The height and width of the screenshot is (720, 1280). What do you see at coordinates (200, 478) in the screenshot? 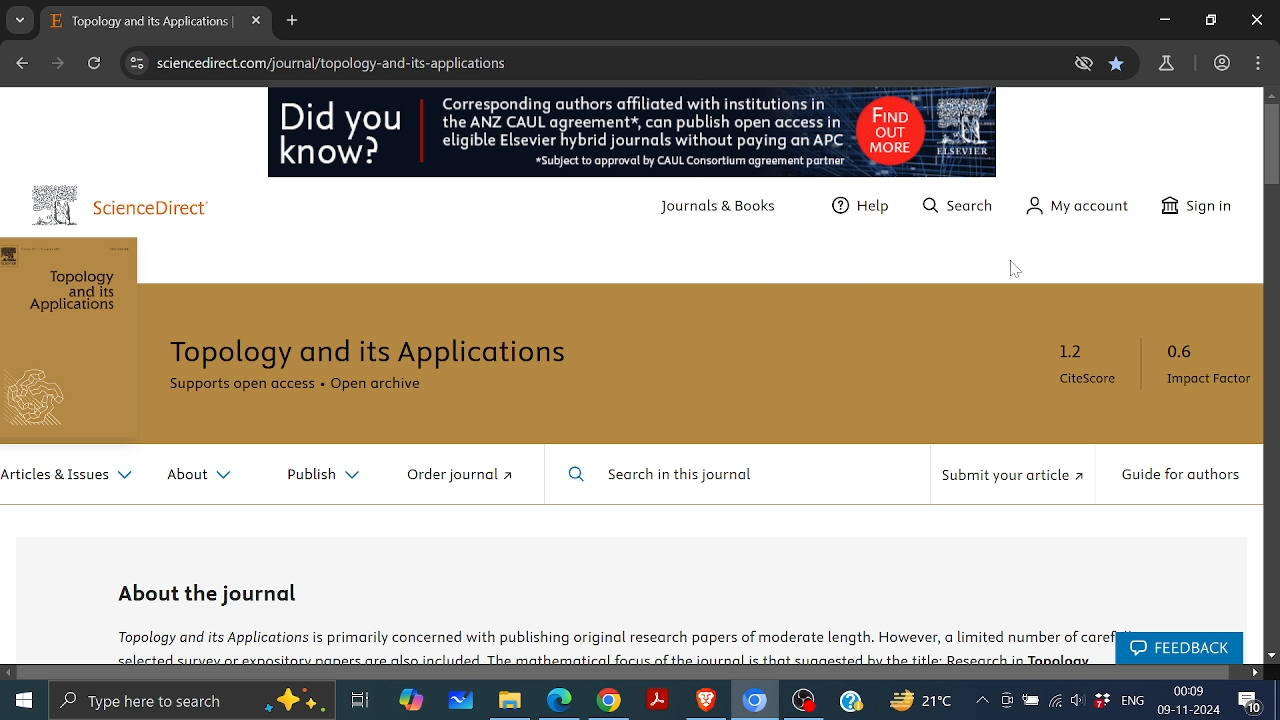
I see `about` at bounding box center [200, 478].